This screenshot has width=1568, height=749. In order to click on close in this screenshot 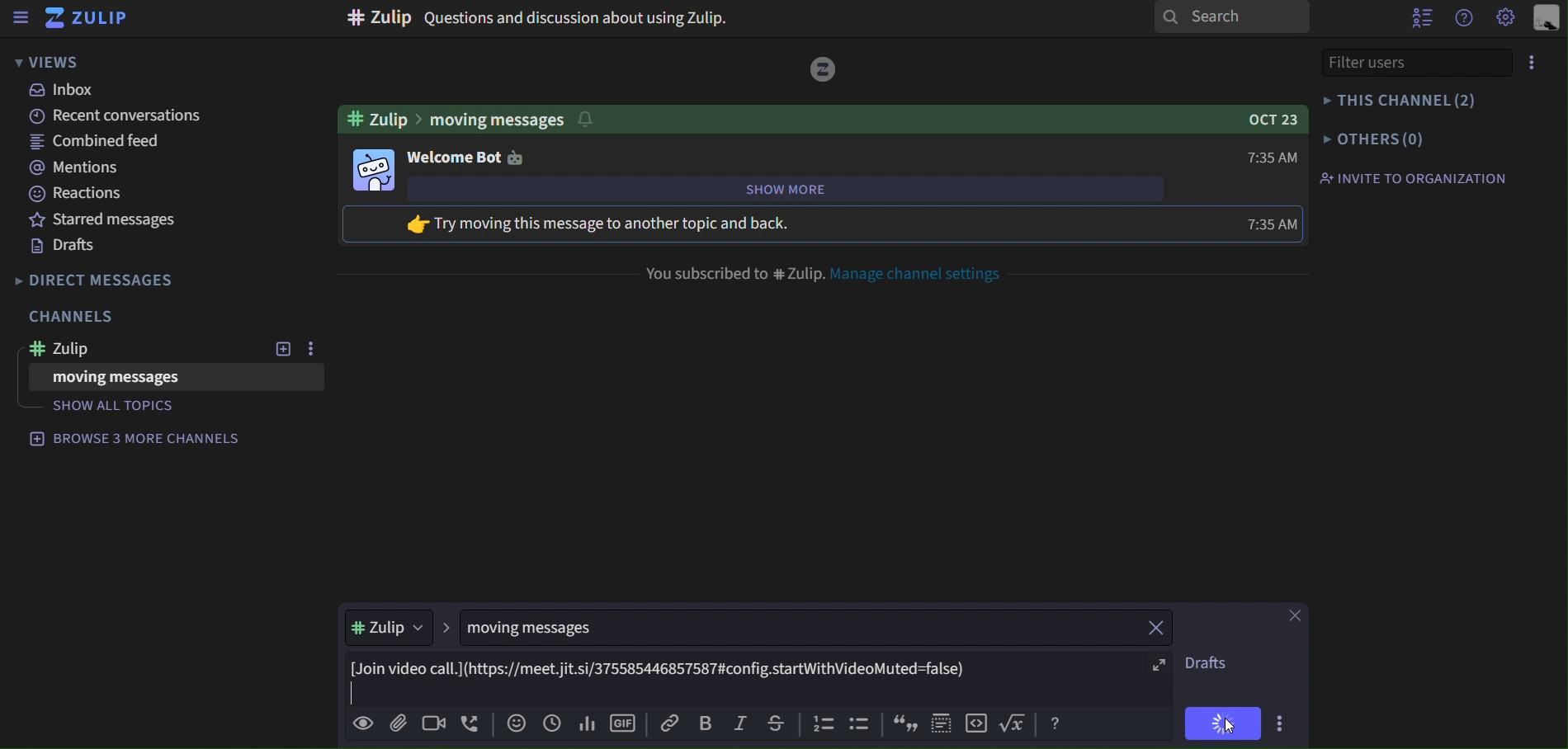, I will do `click(1298, 615)`.